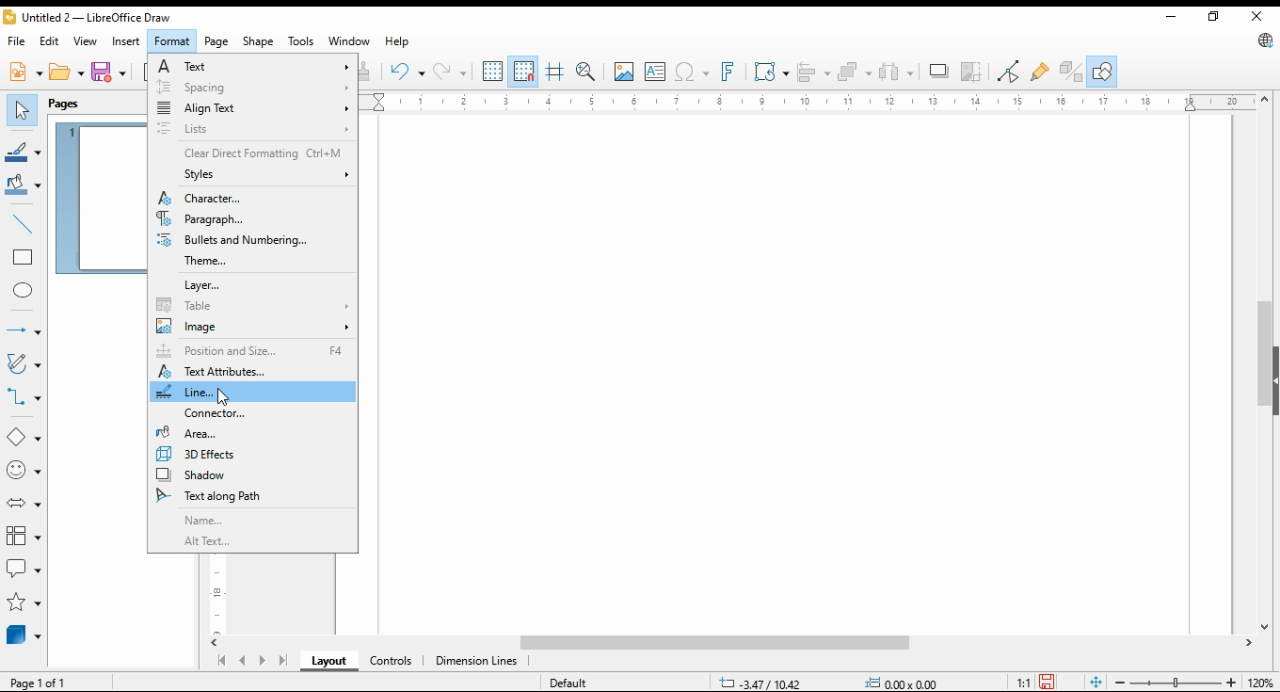 This screenshot has height=692, width=1280. What do you see at coordinates (249, 304) in the screenshot?
I see `table` at bounding box center [249, 304].